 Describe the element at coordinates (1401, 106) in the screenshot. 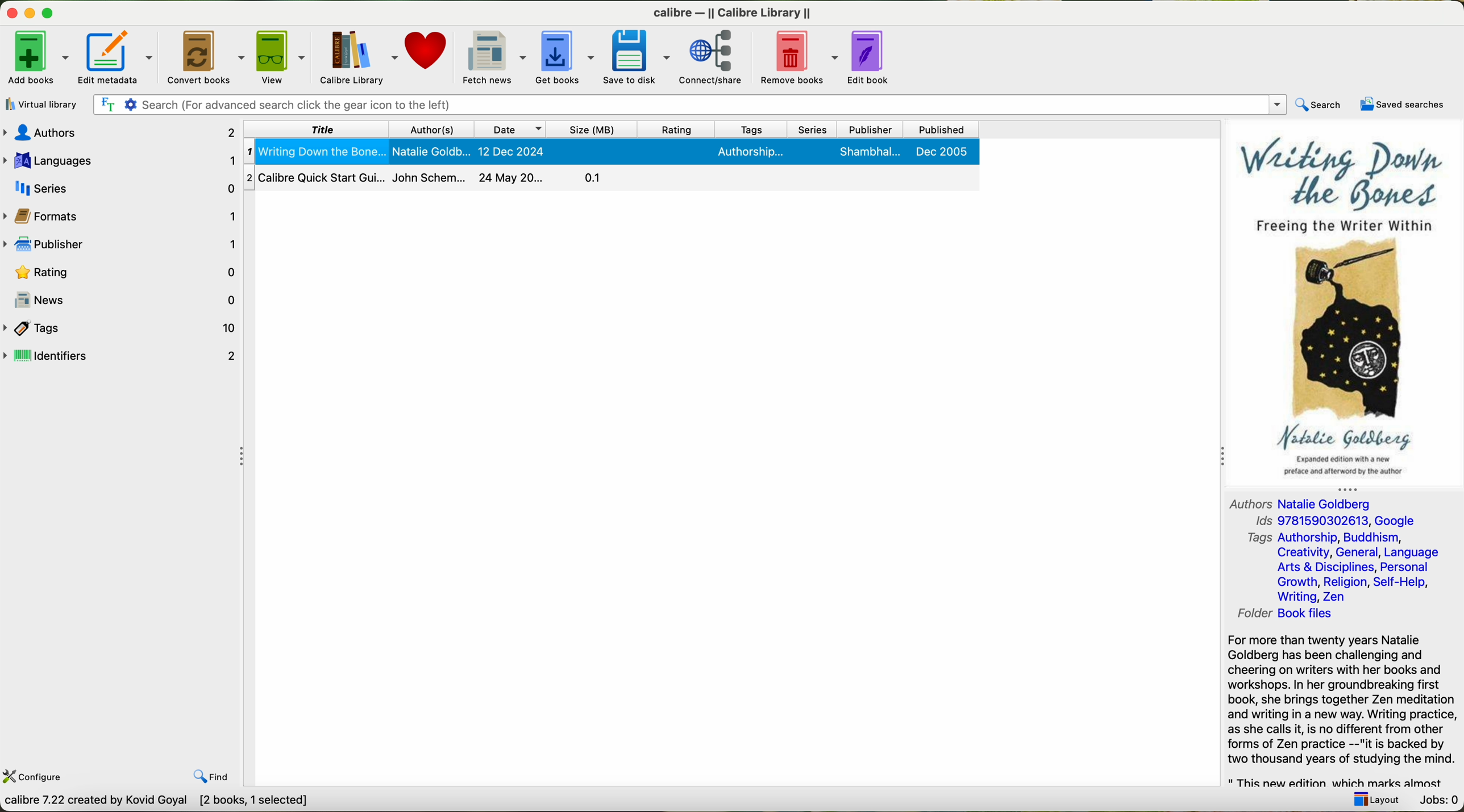

I see `saved searches` at that location.